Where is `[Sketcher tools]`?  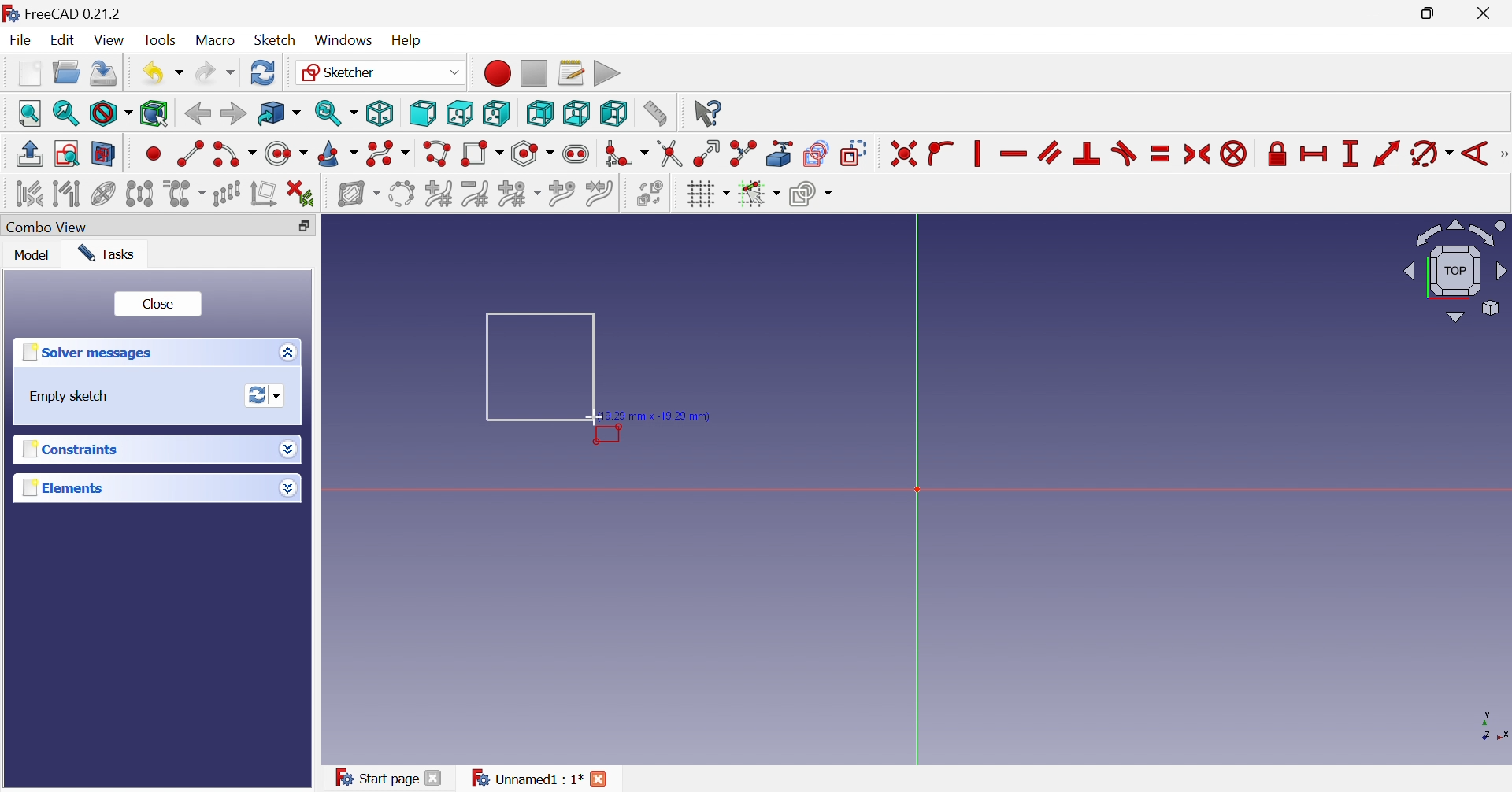 [Sketcher tools] is located at coordinates (1503, 156).